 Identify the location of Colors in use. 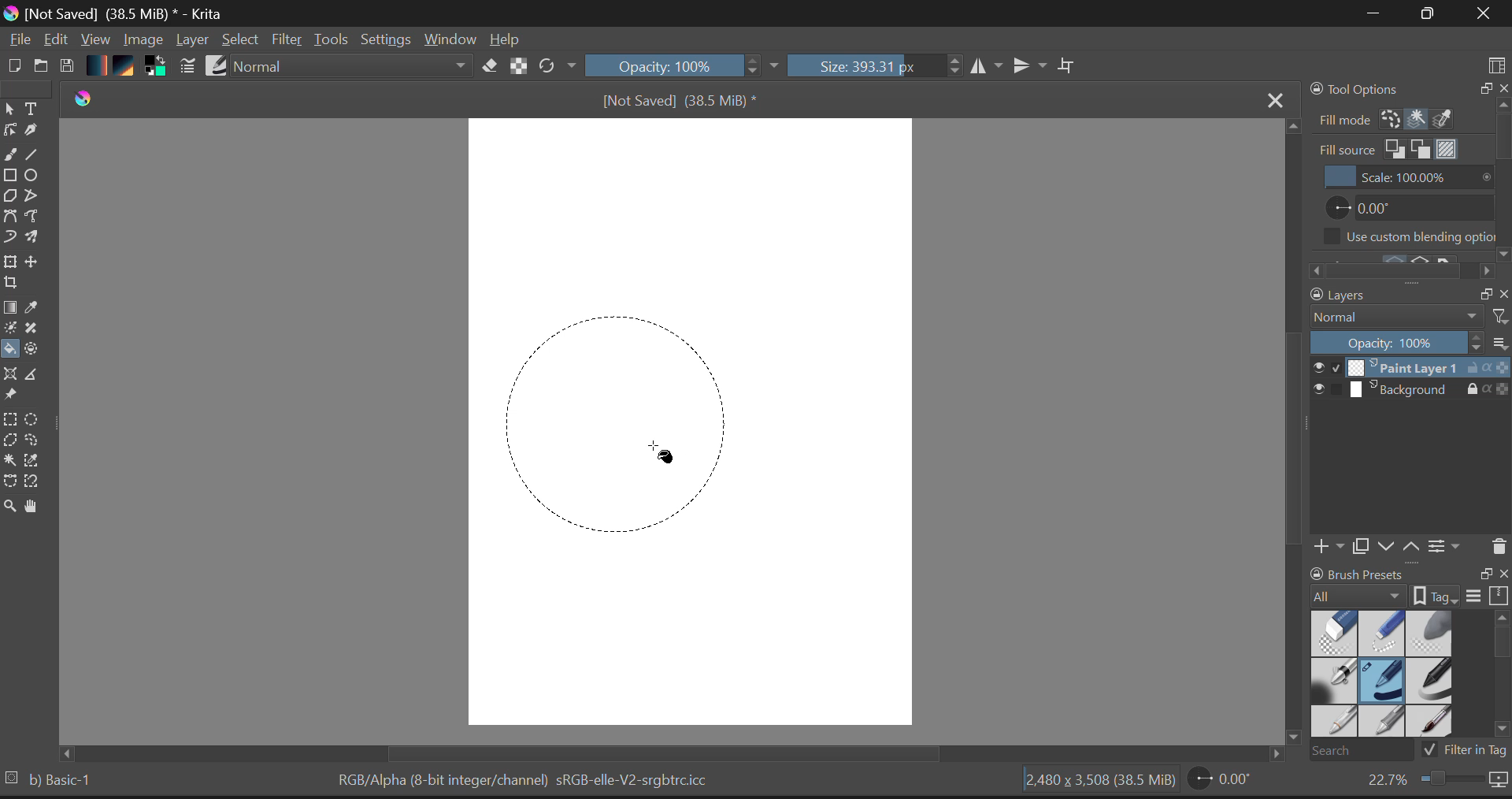
(155, 67).